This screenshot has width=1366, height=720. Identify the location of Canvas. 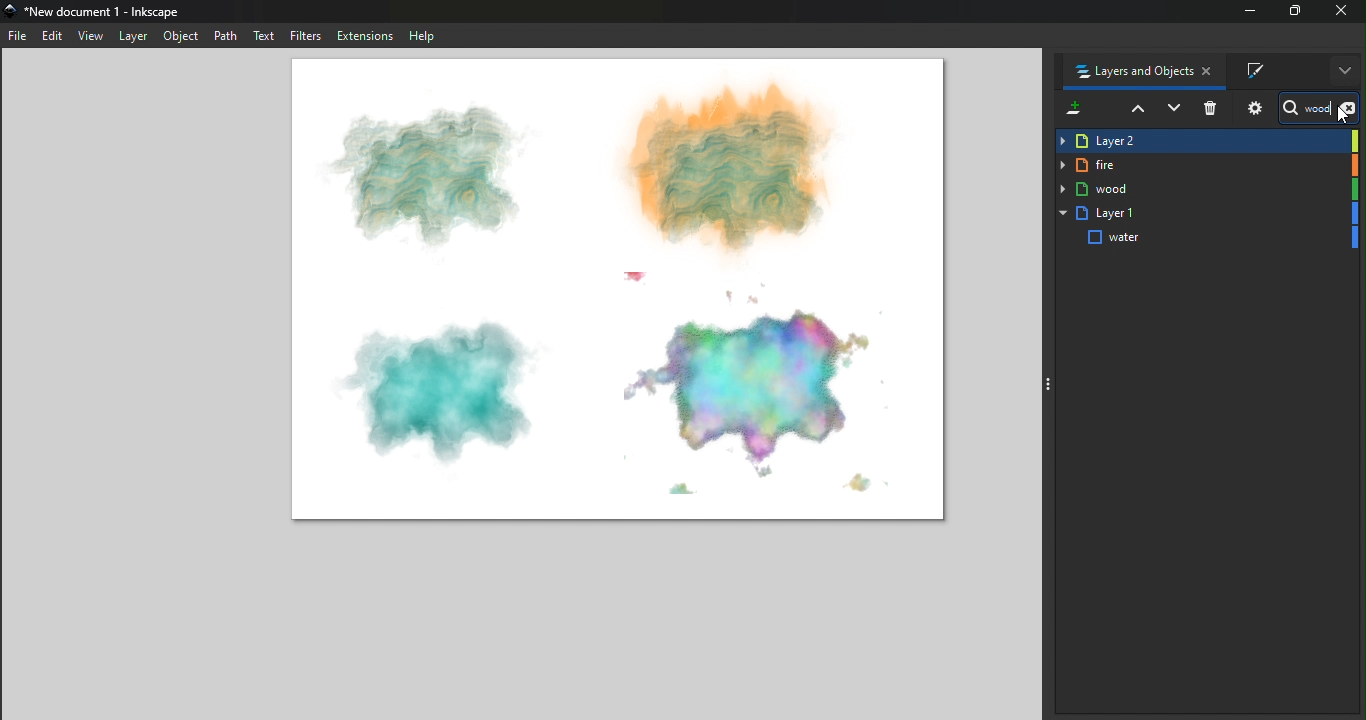
(625, 292).